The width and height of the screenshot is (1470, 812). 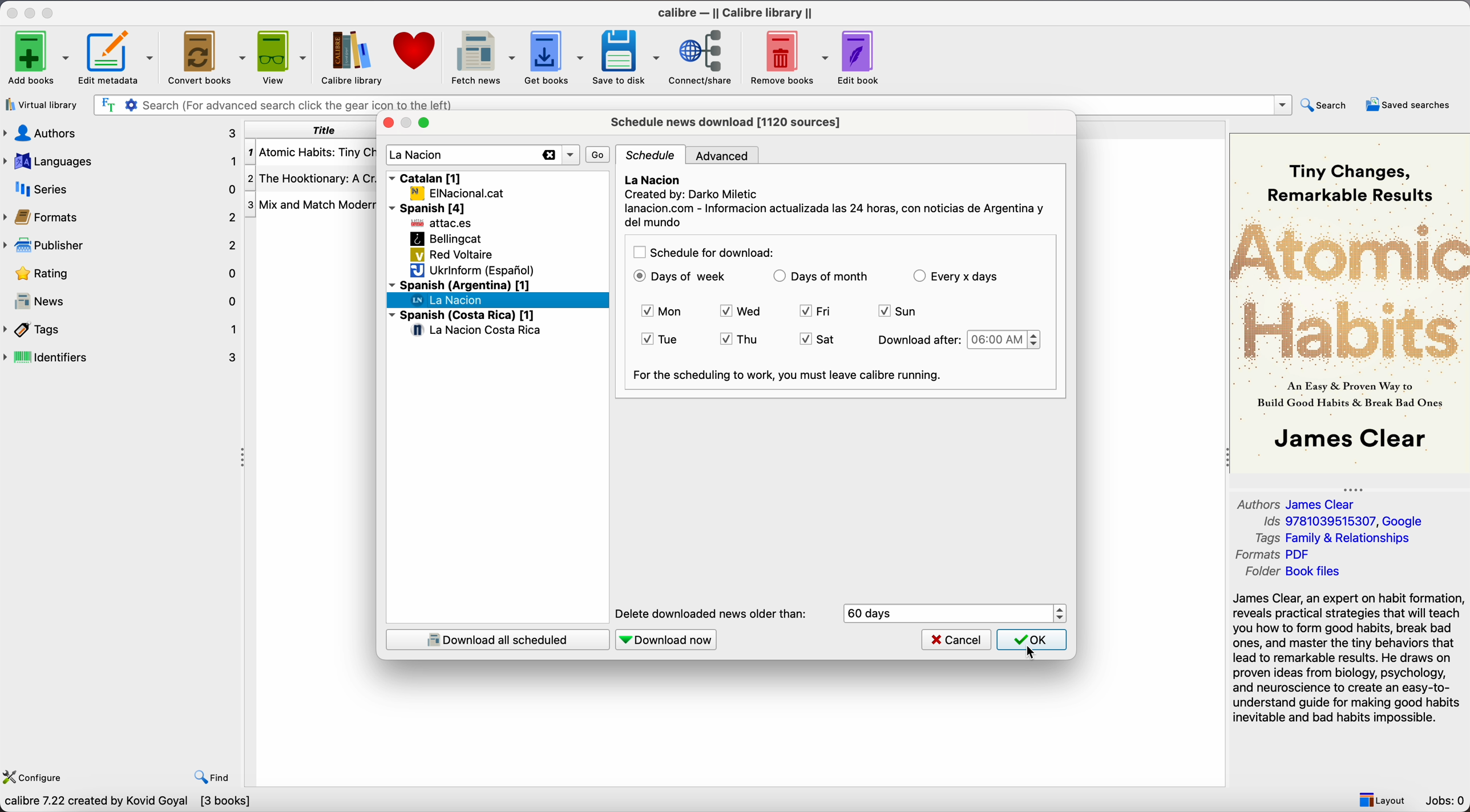 What do you see at coordinates (956, 640) in the screenshot?
I see `Cancel` at bounding box center [956, 640].